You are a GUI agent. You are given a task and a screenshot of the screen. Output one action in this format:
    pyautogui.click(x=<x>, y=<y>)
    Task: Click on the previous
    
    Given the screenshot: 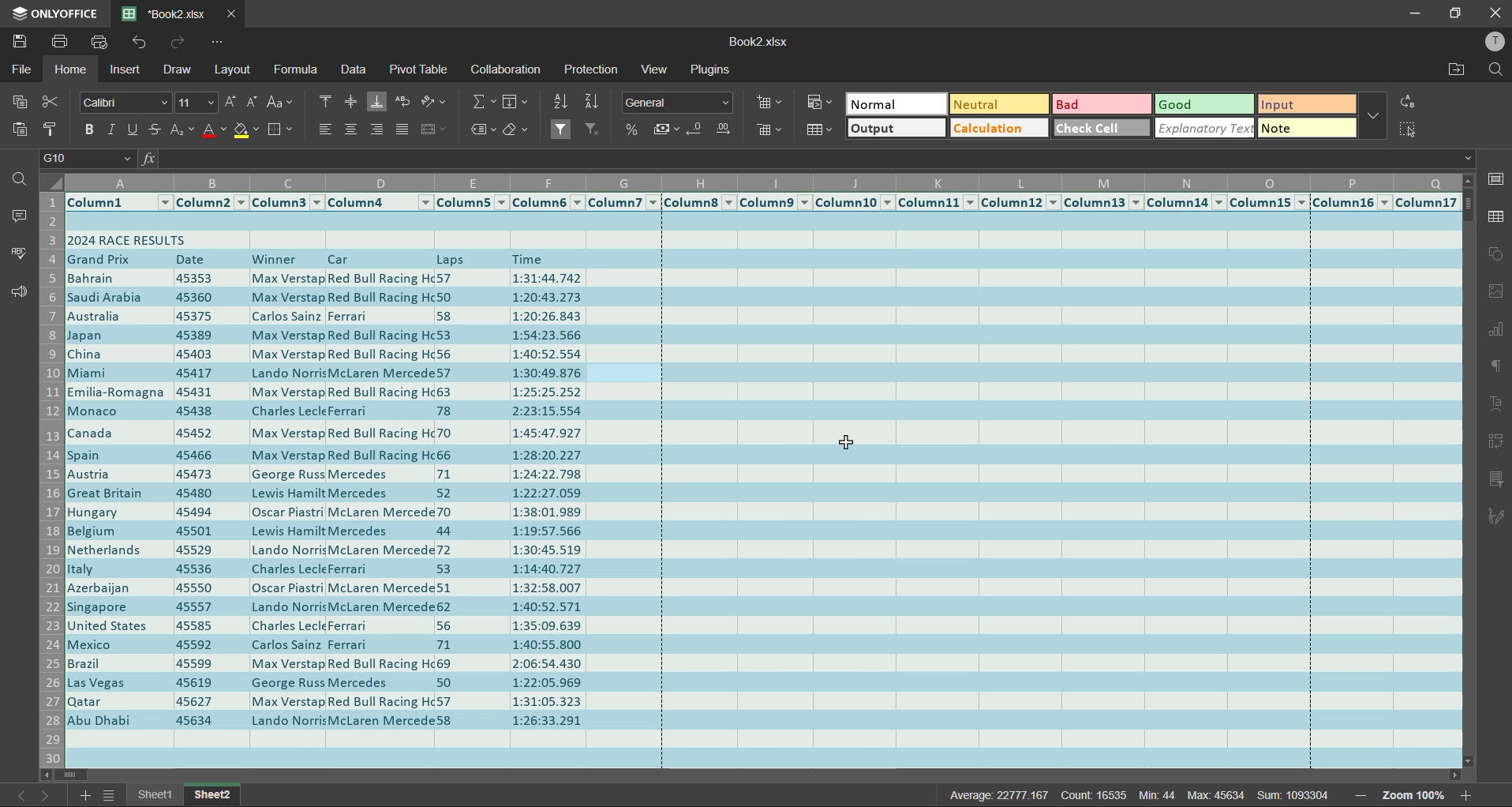 What is the action you would take?
    pyautogui.click(x=15, y=794)
    